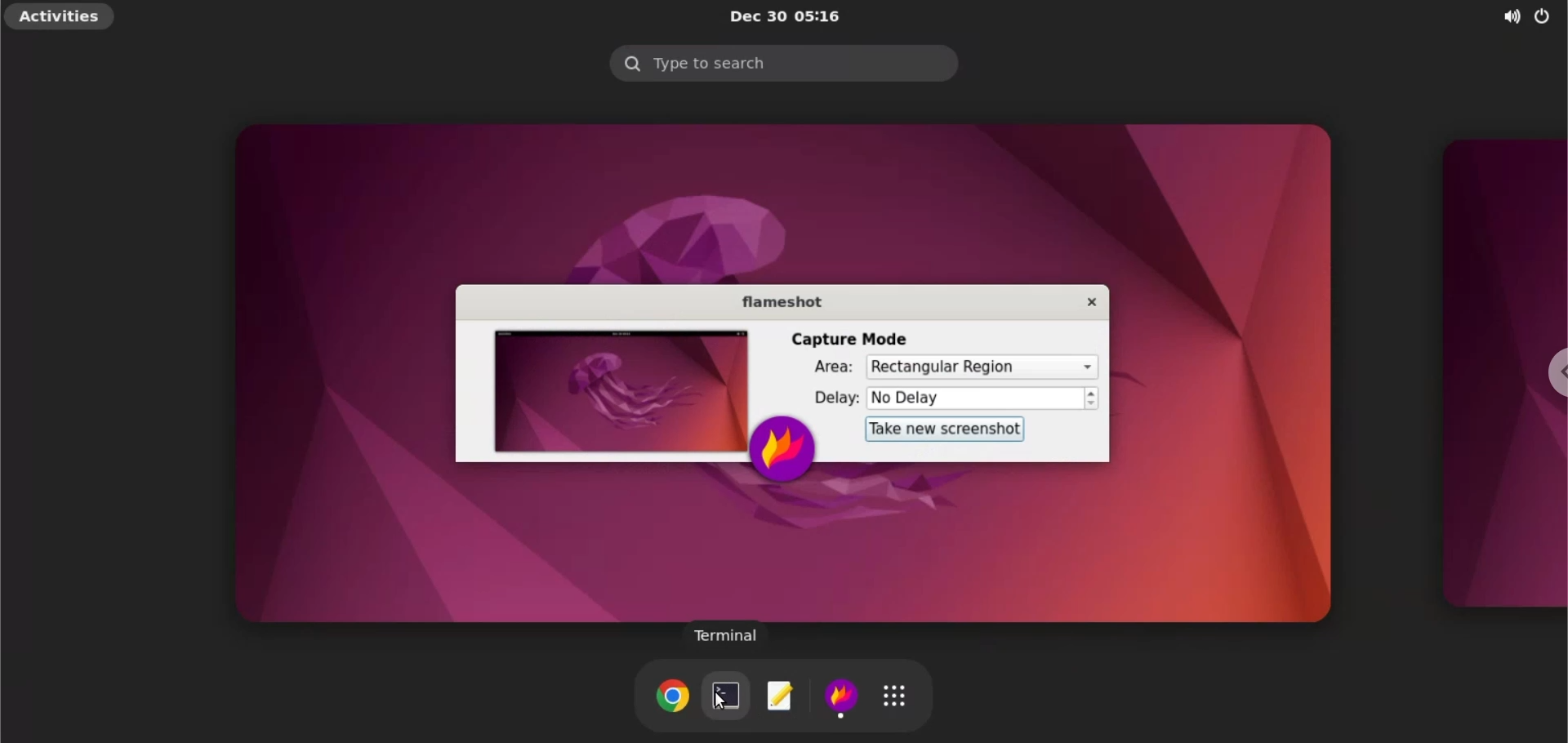 Image resolution: width=1568 pixels, height=743 pixels. Describe the element at coordinates (845, 698) in the screenshot. I see `flameshot ` at that location.